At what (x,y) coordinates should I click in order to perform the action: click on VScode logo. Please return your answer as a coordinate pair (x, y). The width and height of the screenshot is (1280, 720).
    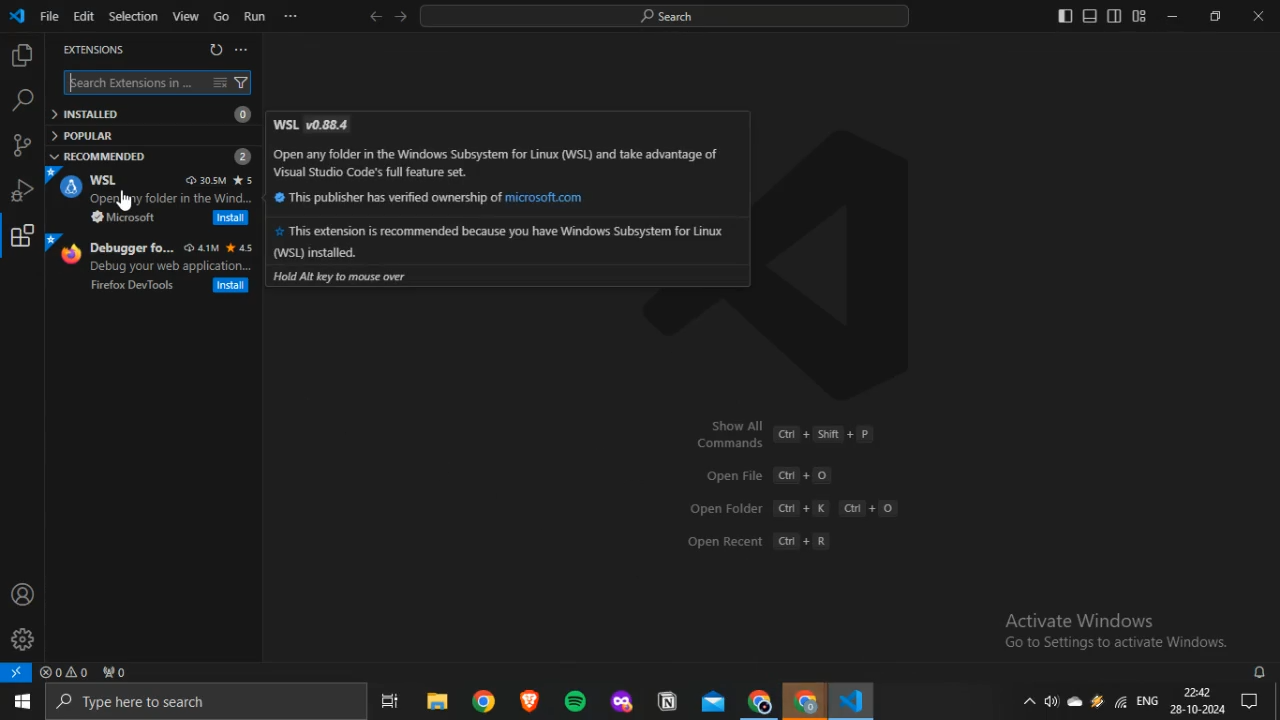
    Looking at the image, I should click on (843, 263).